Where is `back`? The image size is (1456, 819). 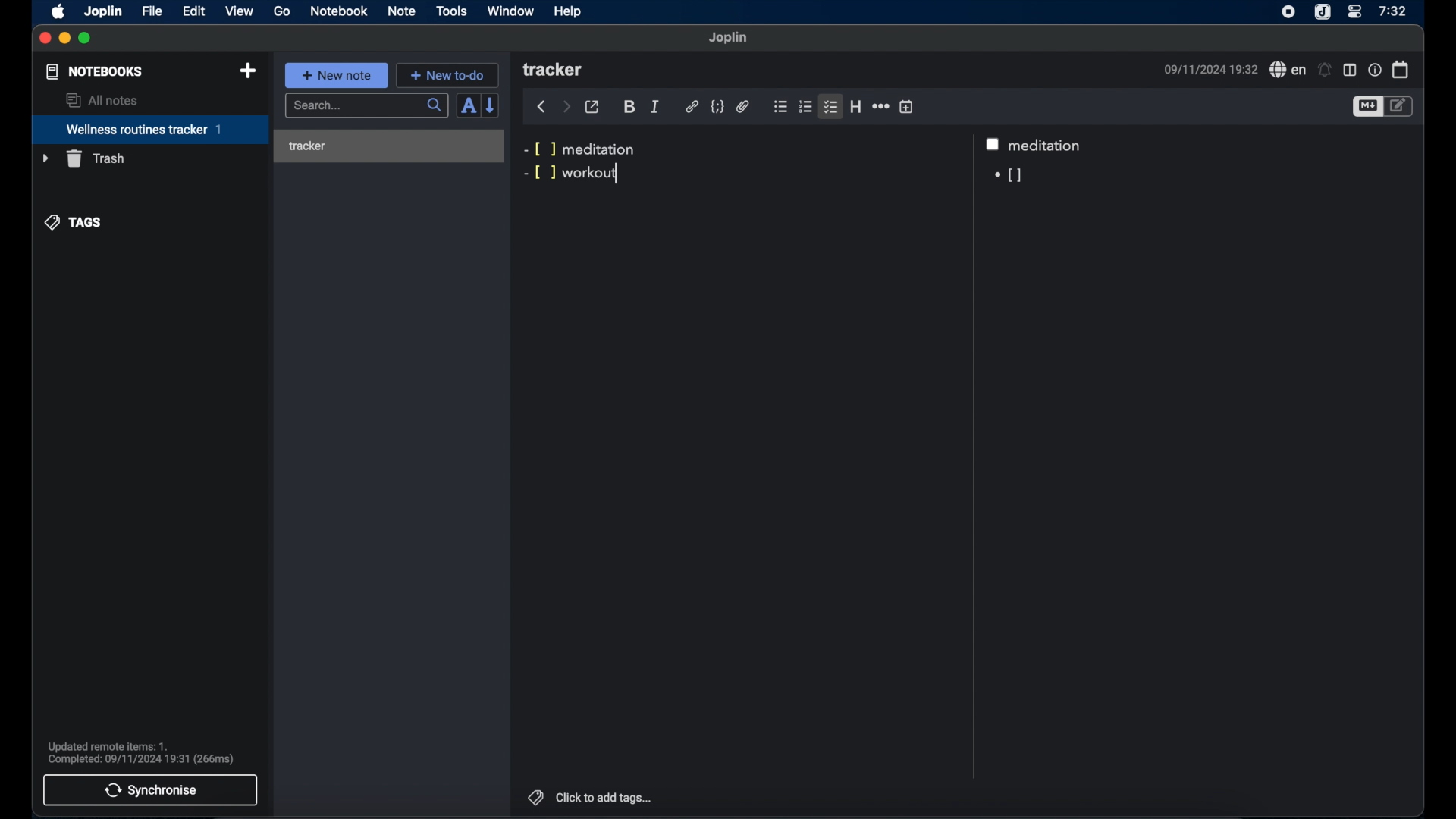 back is located at coordinates (541, 107).